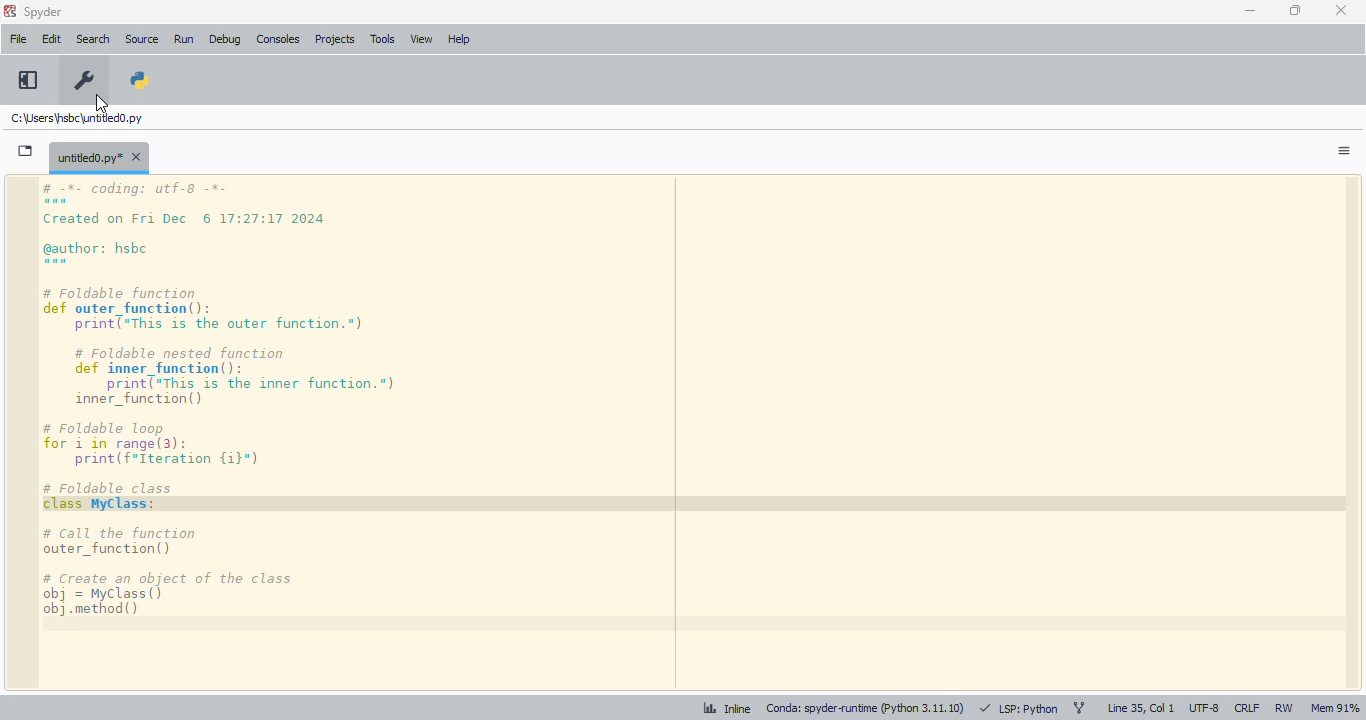  What do you see at coordinates (51, 39) in the screenshot?
I see `edit` at bounding box center [51, 39].